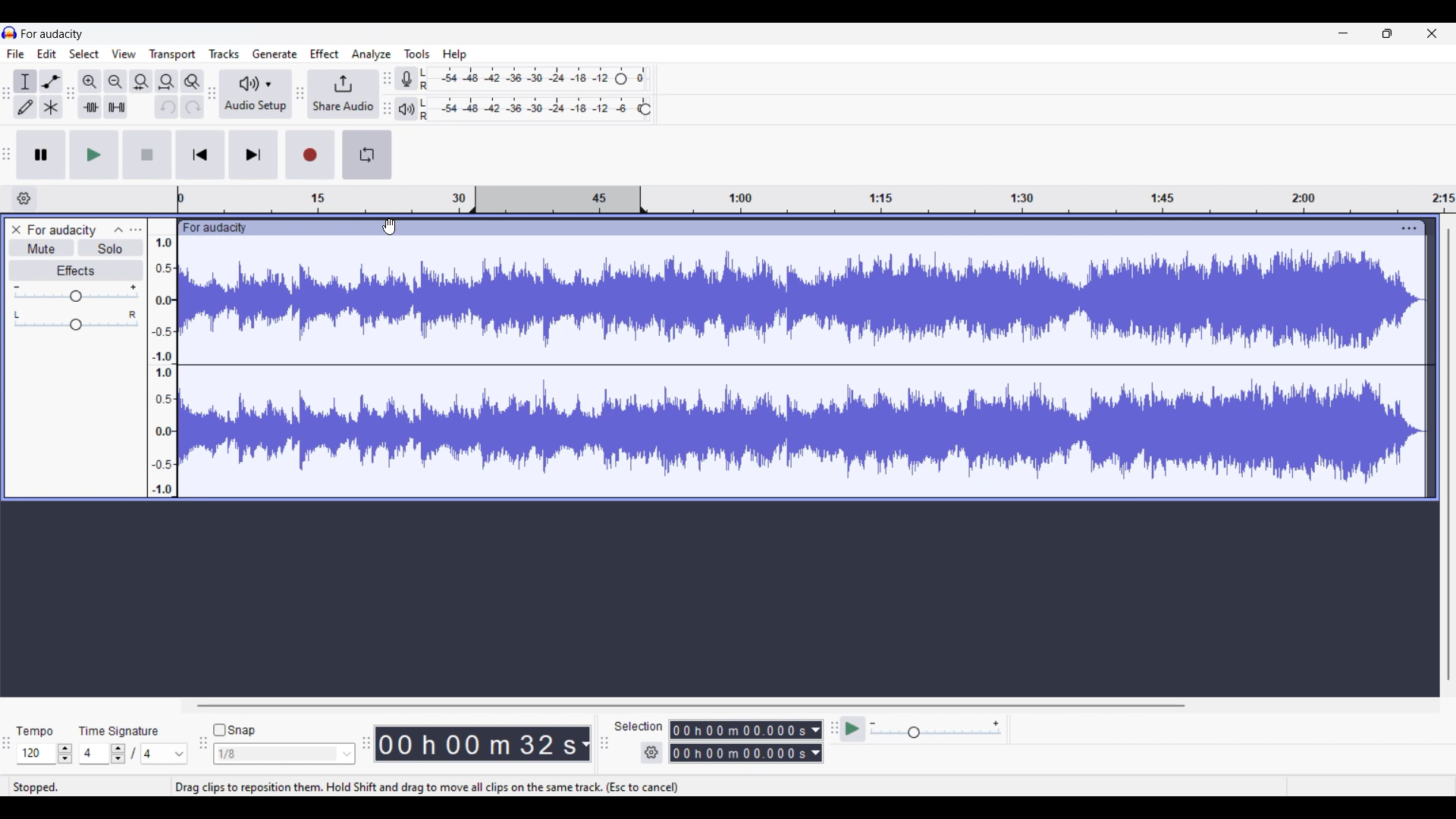 This screenshot has height=819, width=1456. I want to click on Record meter, so click(406, 78).